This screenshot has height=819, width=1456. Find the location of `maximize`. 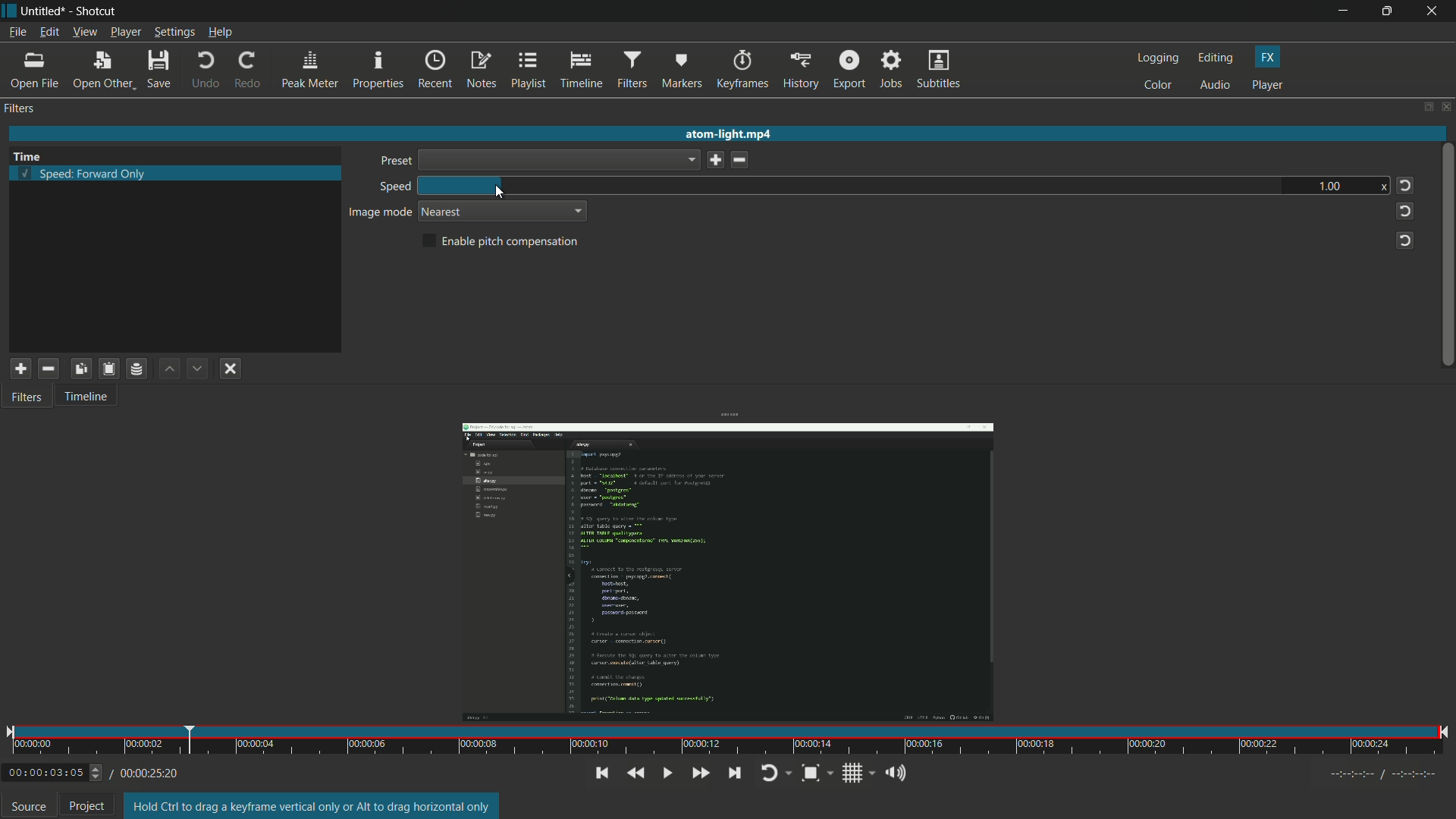

maximize is located at coordinates (1389, 11).